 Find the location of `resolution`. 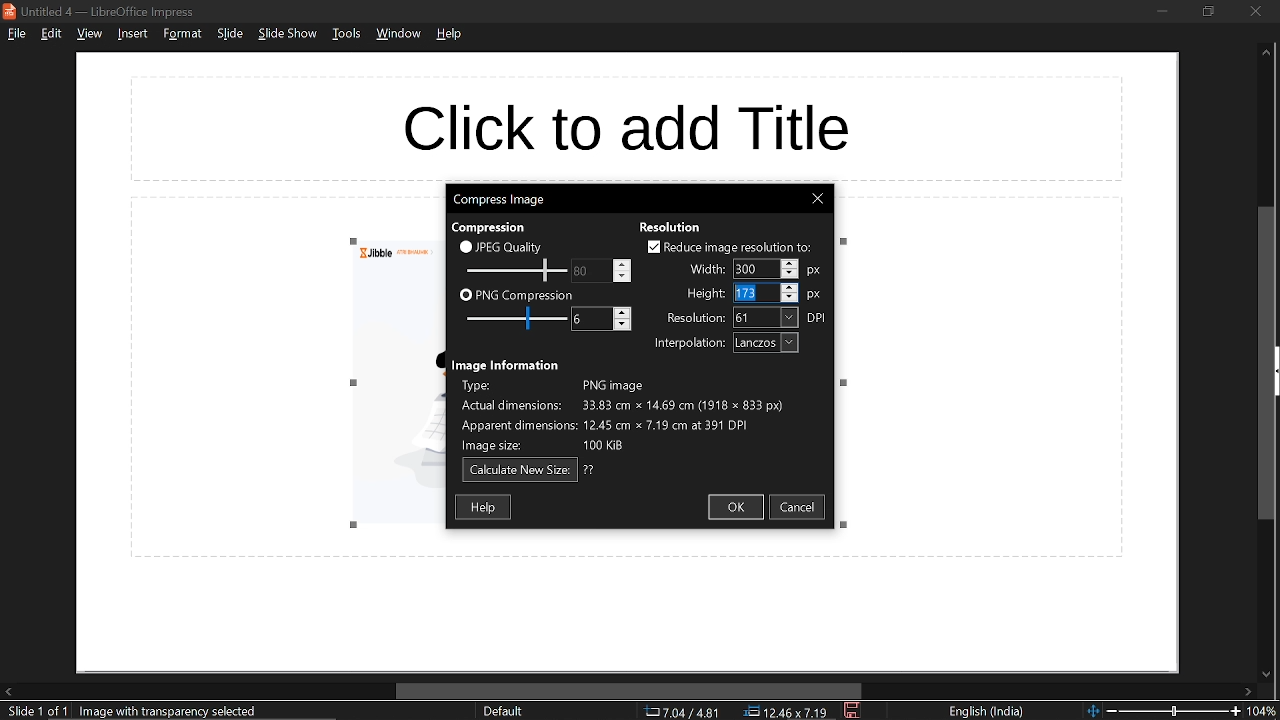

resolution is located at coordinates (766, 318).